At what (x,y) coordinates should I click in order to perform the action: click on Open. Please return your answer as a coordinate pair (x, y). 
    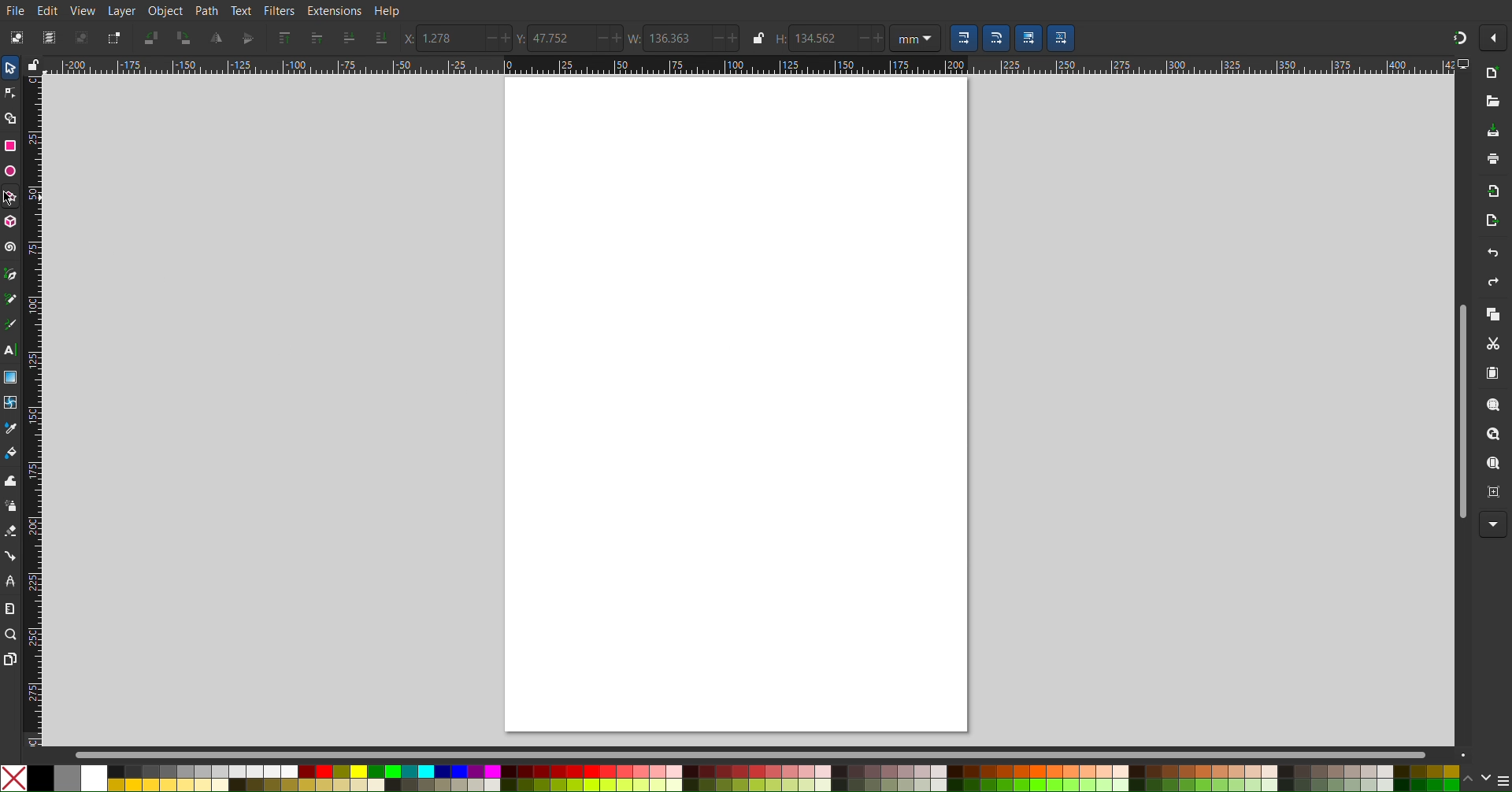
    Looking at the image, I should click on (1494, 102).